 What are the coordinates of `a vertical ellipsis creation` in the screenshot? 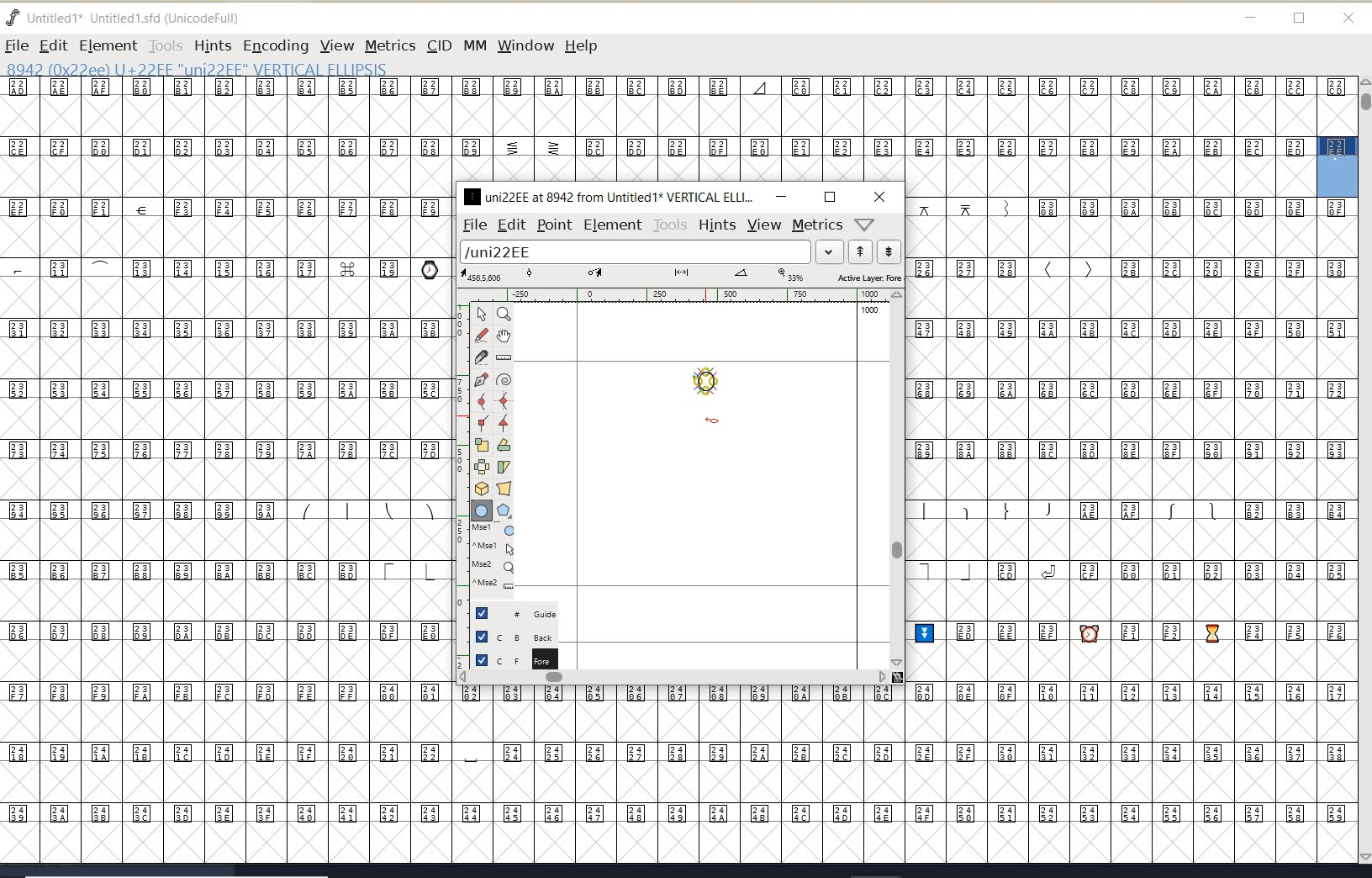 It's located at (710, 384).